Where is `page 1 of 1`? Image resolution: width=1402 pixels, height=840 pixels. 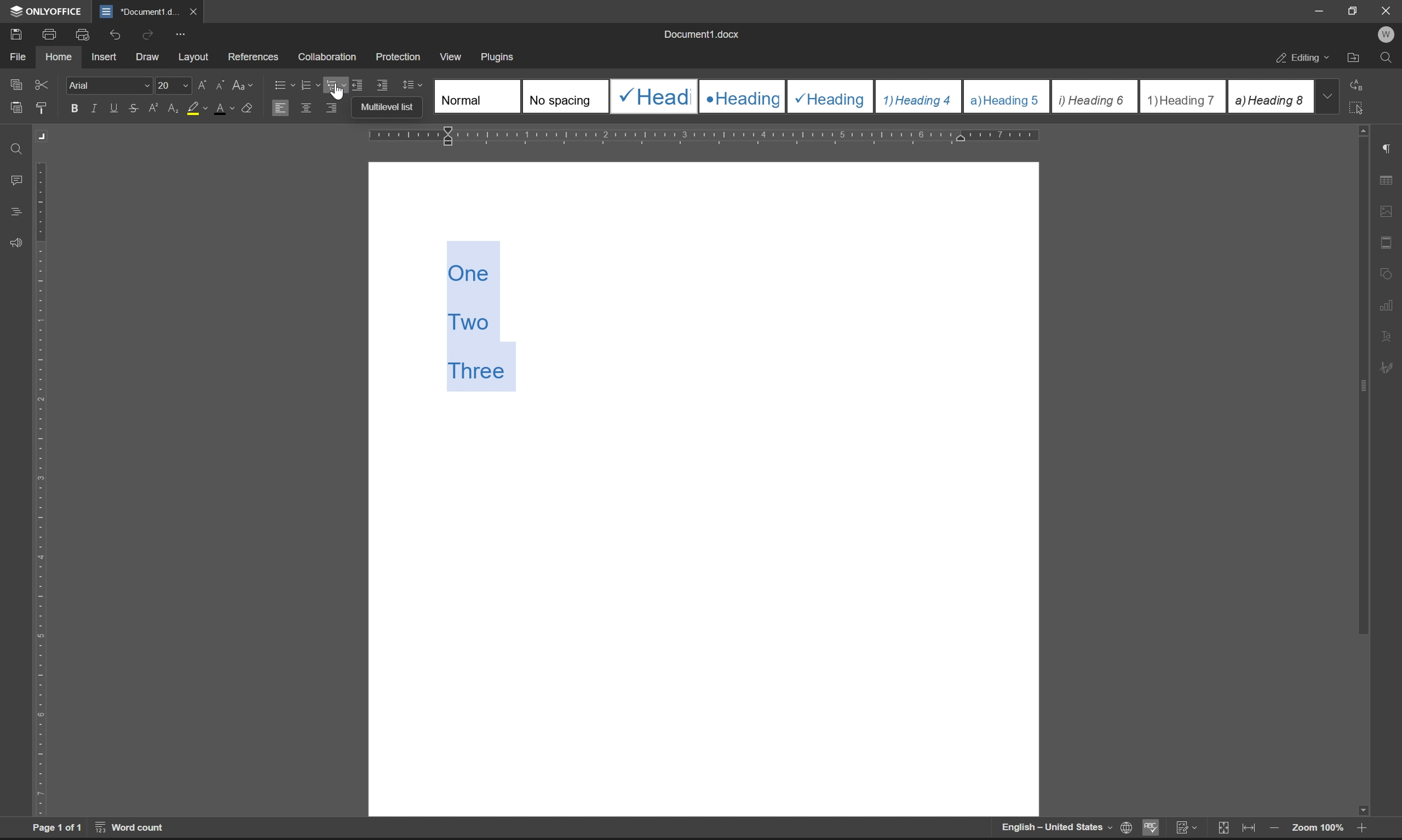
page 1 of 1 is located at coordinates (57, 828).